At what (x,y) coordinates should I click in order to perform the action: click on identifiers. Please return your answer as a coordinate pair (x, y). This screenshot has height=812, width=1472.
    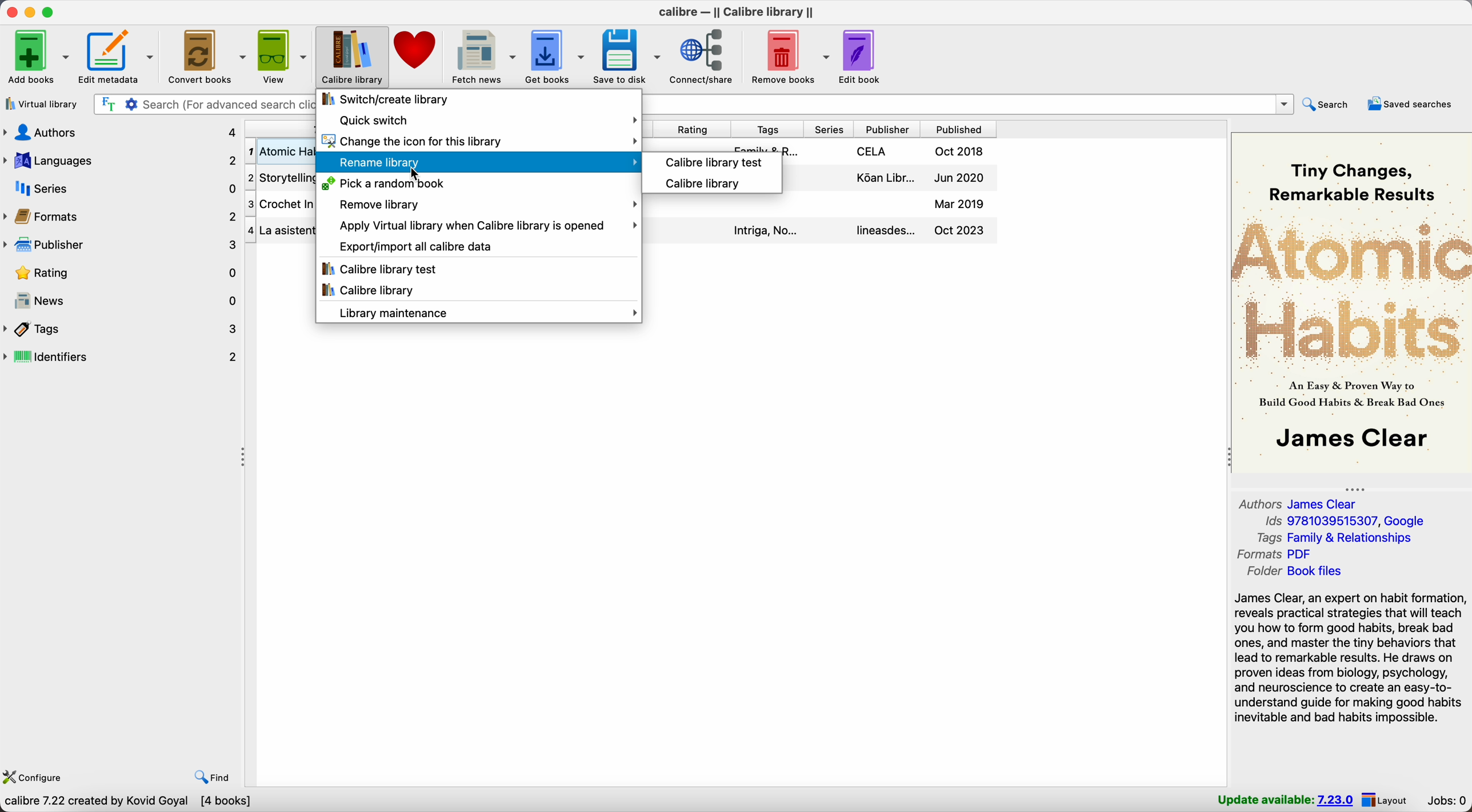
    Looking at the image, I should click on (122, 358).